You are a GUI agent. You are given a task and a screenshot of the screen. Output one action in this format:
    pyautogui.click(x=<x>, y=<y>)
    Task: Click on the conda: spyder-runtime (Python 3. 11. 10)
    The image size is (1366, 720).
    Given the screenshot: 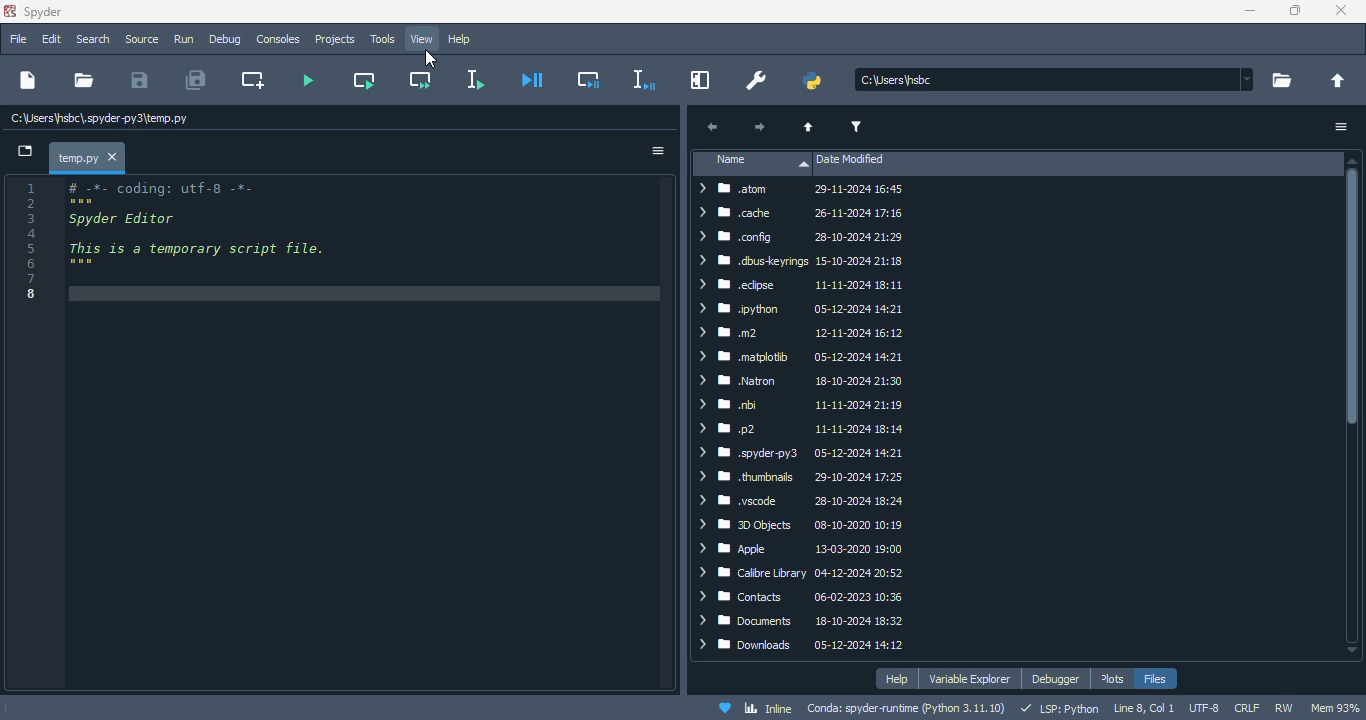 What is the action you would take?
    pyautogui.click(x=908, y=709)
    